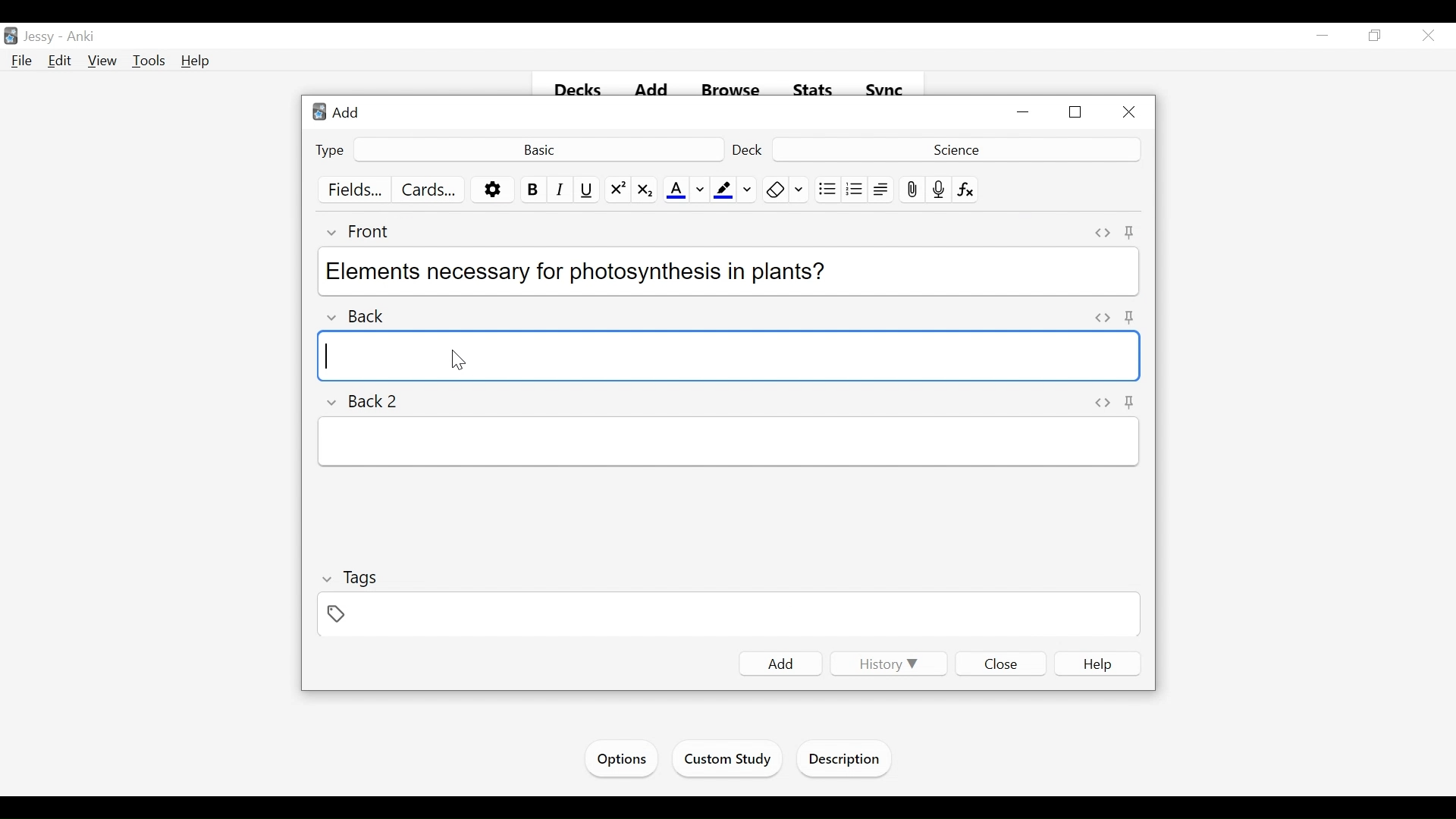 This screenshot has height=819, width=1456. What do you see at coordinates (676, 190) in the screenshot?
I see `Text Color` at bounding box center [676, 190].